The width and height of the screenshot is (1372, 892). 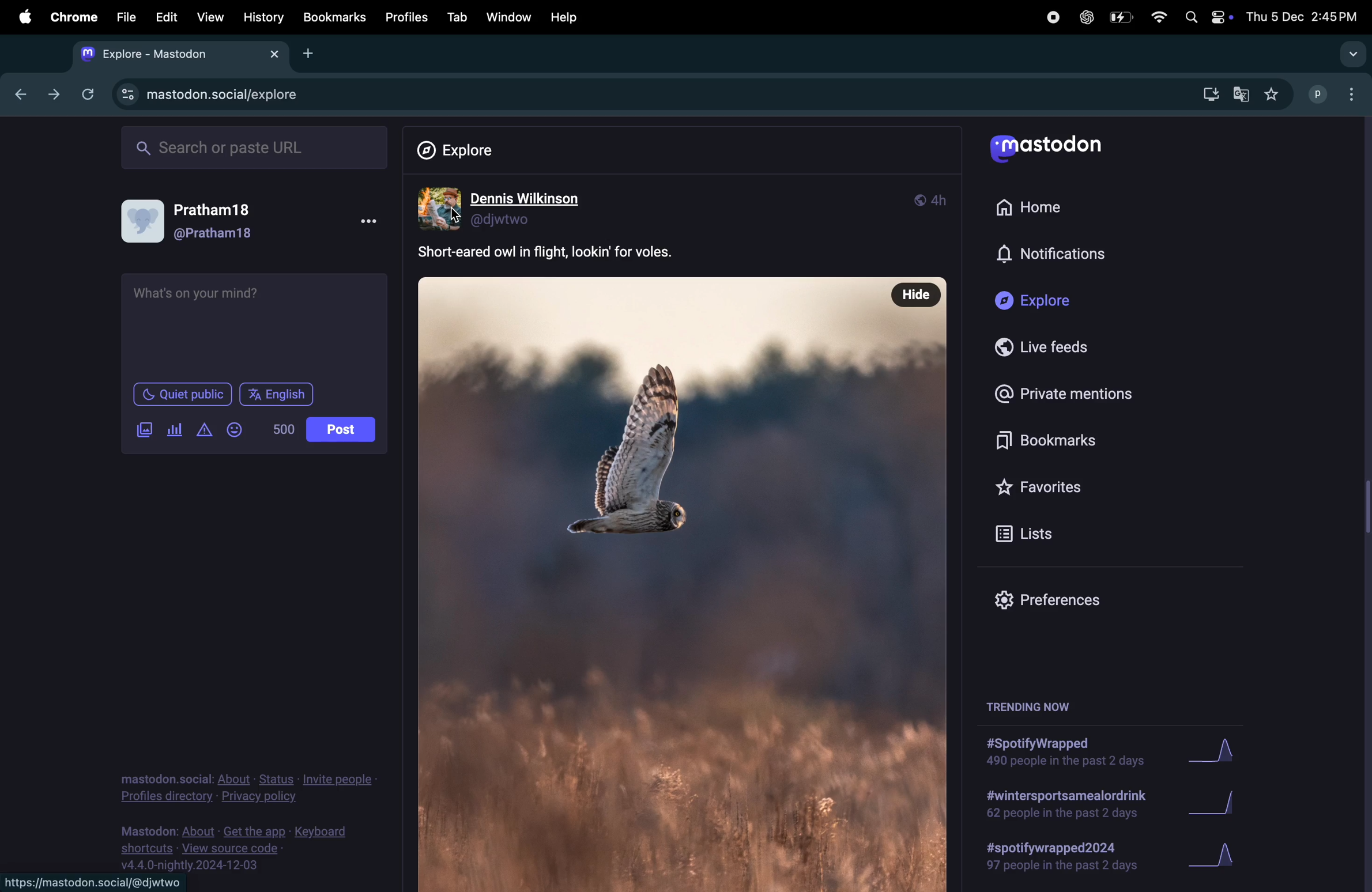 I want to click on google translate, so click(x=1242, y=94).